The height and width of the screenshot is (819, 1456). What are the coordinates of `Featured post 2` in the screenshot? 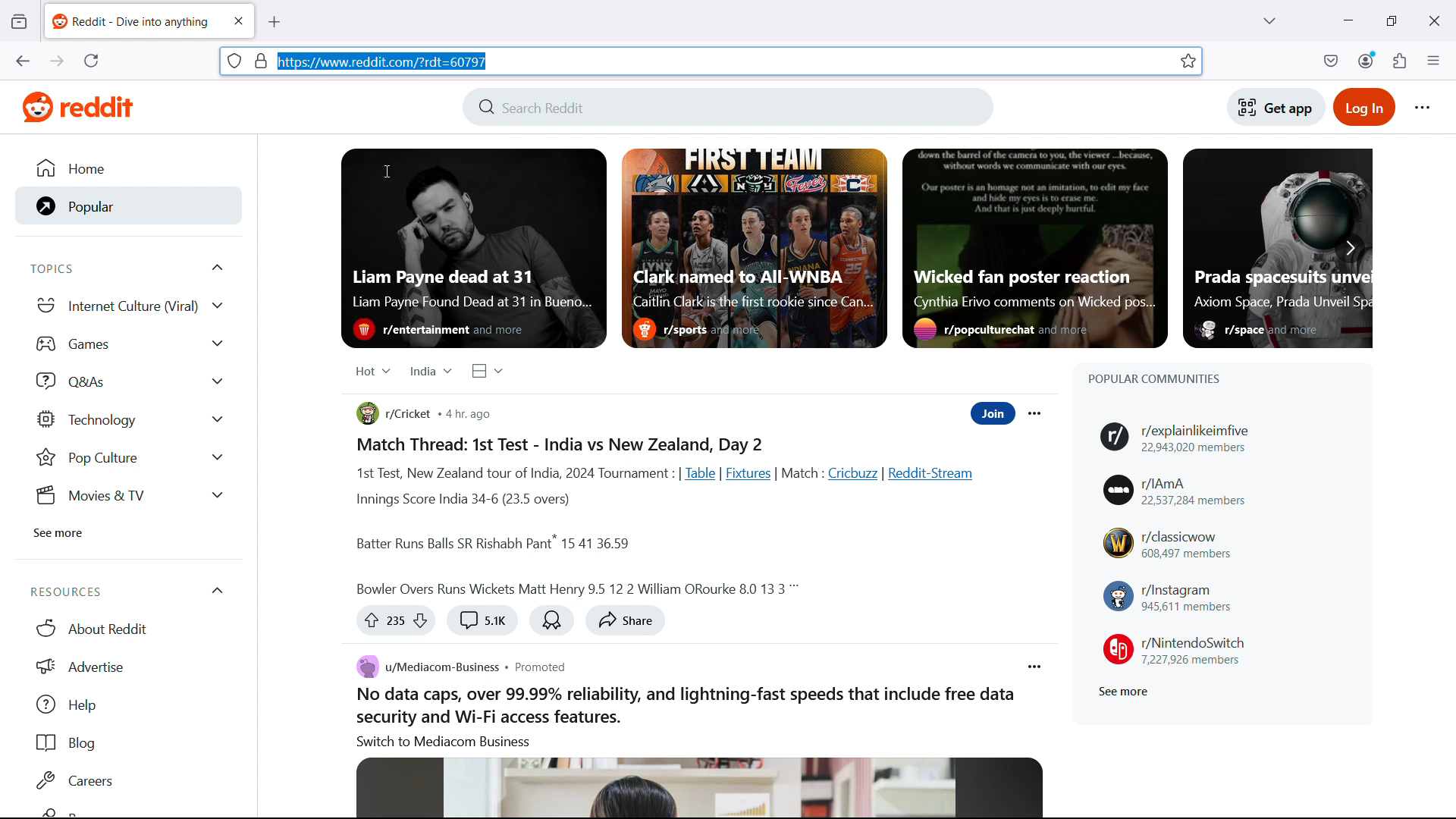 It's located at (754, 247).